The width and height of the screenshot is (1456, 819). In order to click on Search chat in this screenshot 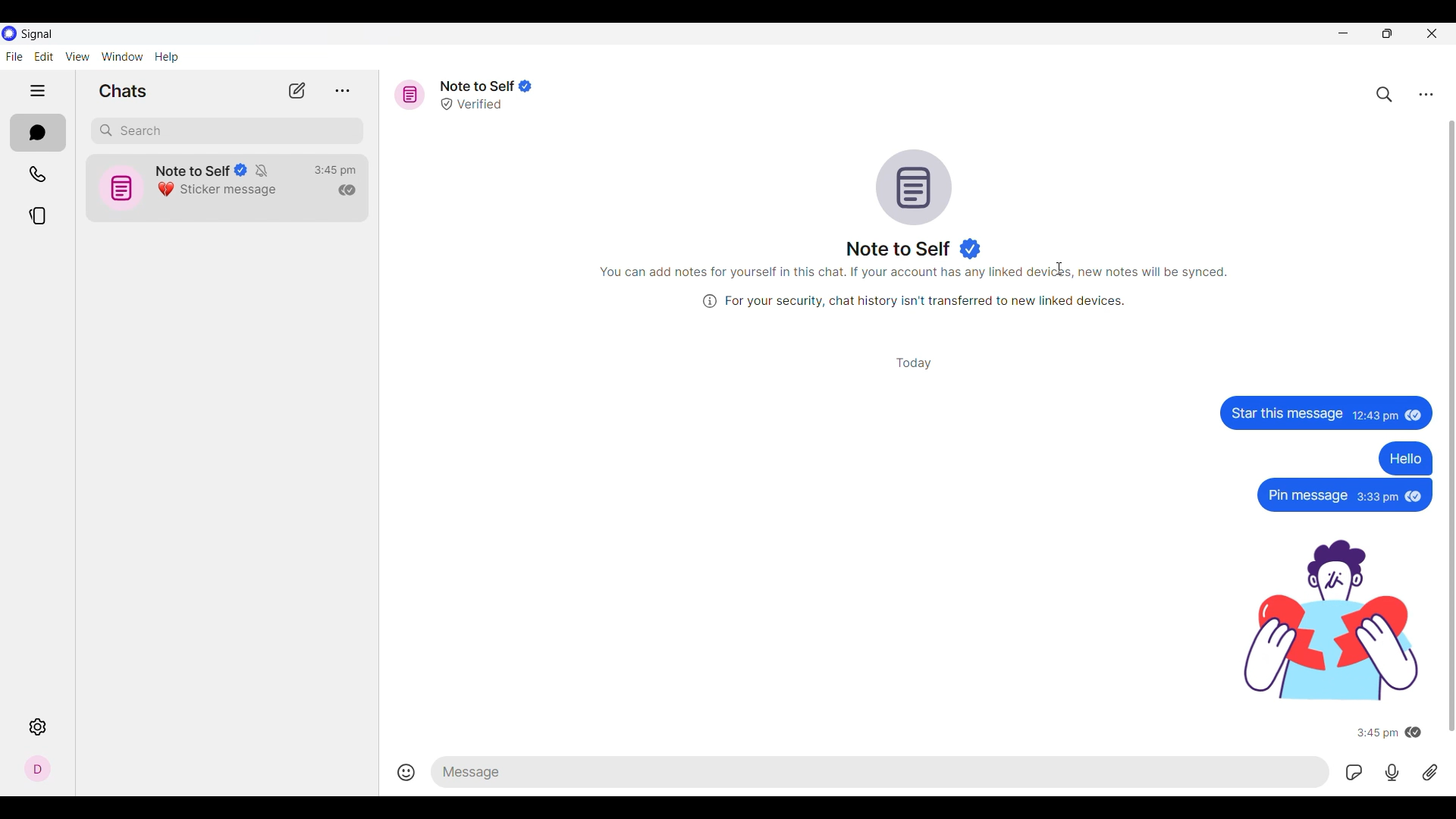, I will do `click(1385, 94)`.